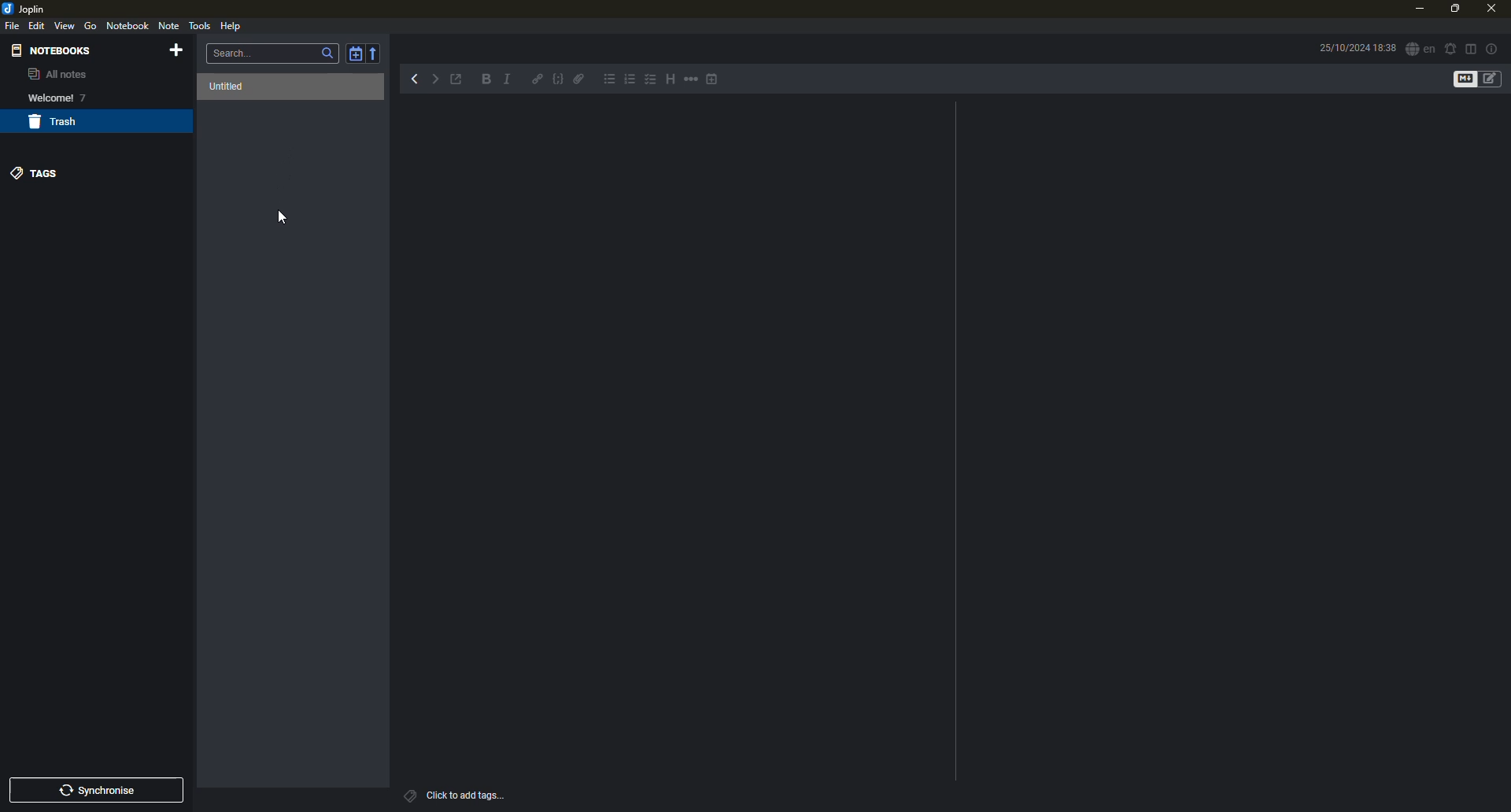  Describe the element at coordinates (649, 80) in the screenshot. I see `checkbox` at that location.